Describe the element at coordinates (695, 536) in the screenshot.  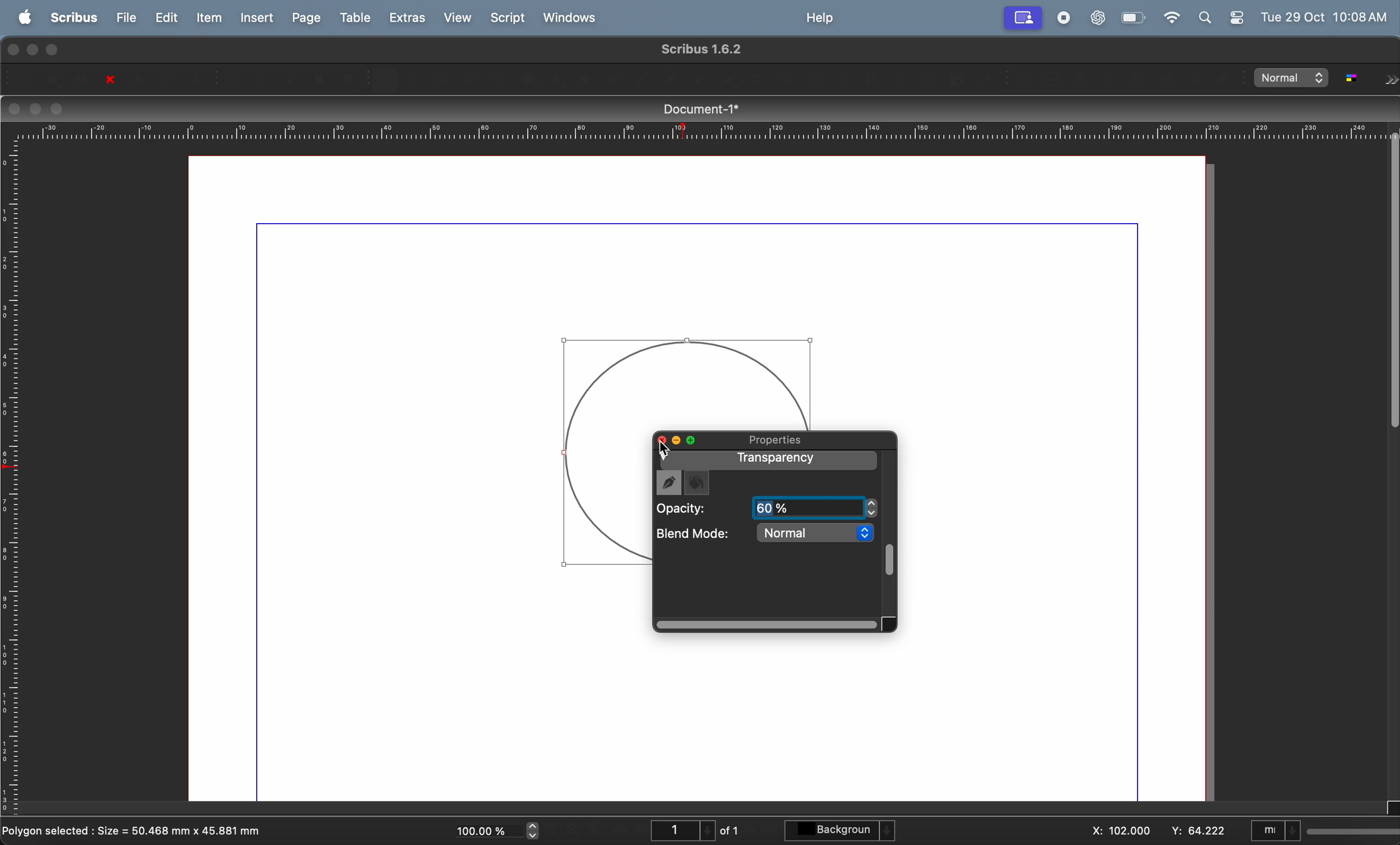
I see `blend mode` at that location.